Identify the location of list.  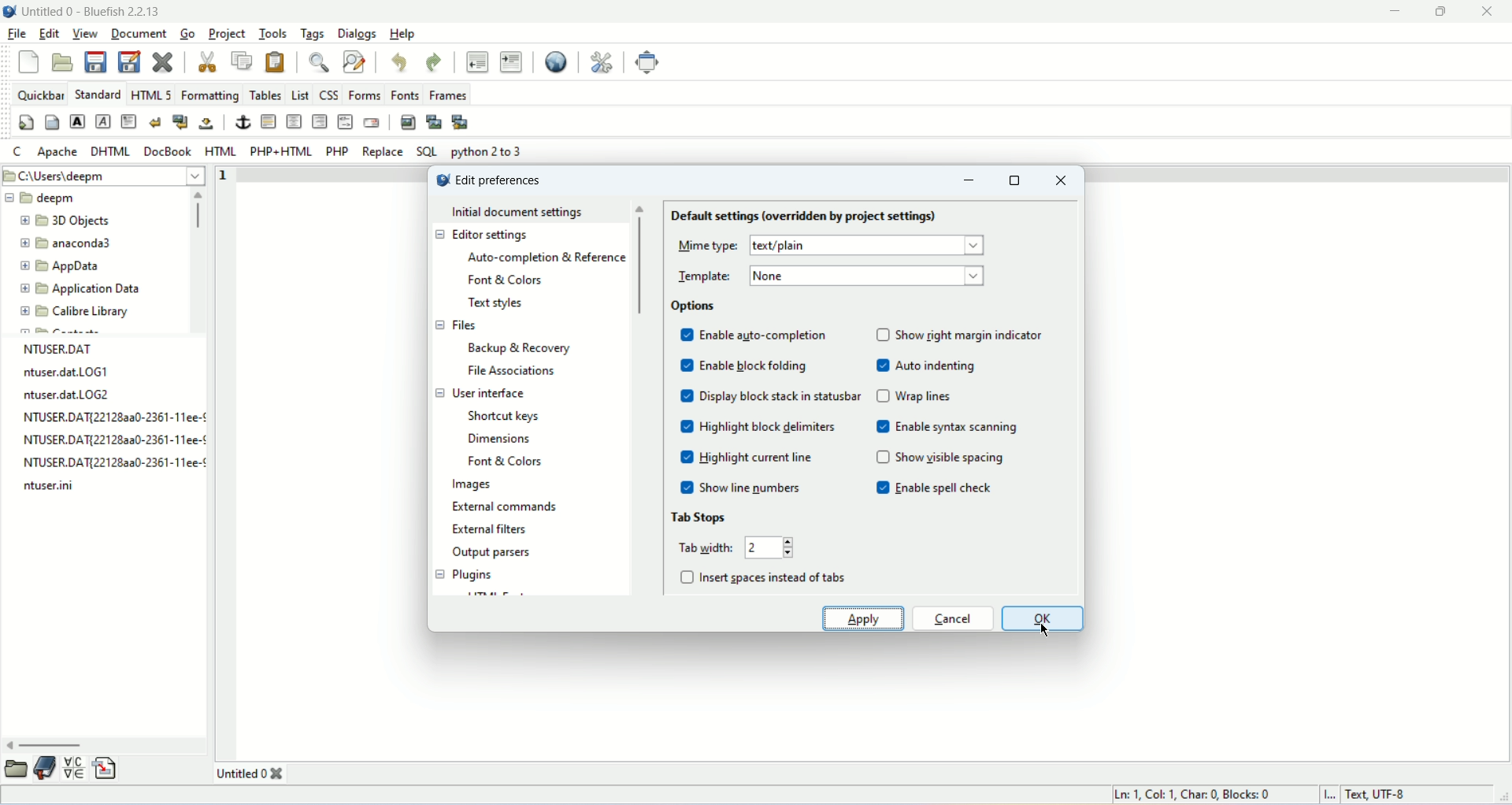
(301, 93).